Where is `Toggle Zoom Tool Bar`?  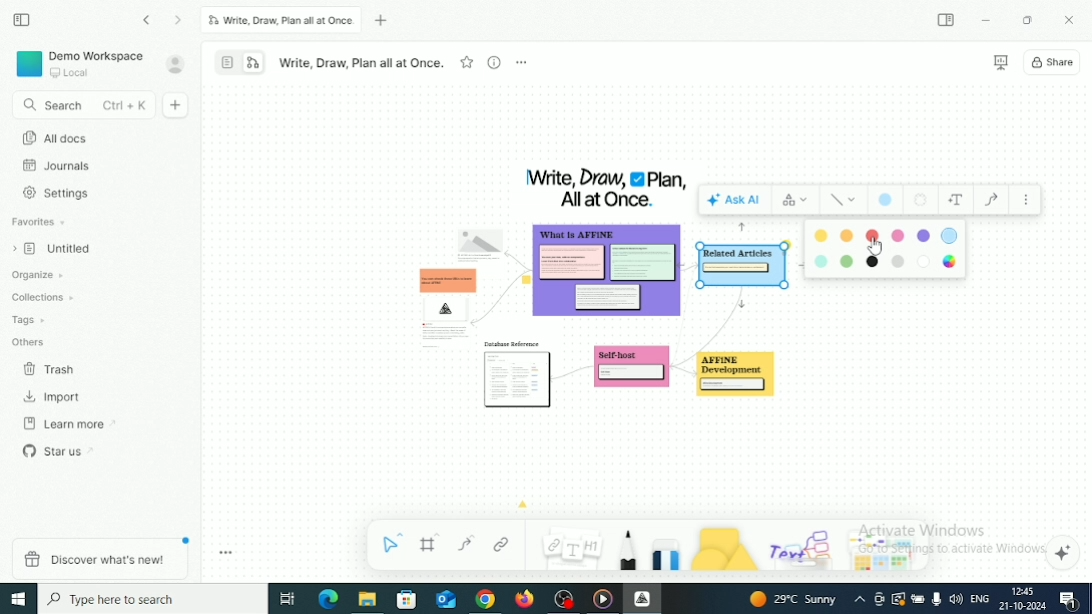 Toggle Zoom Tool Bar is located at coordinates (227, 553).